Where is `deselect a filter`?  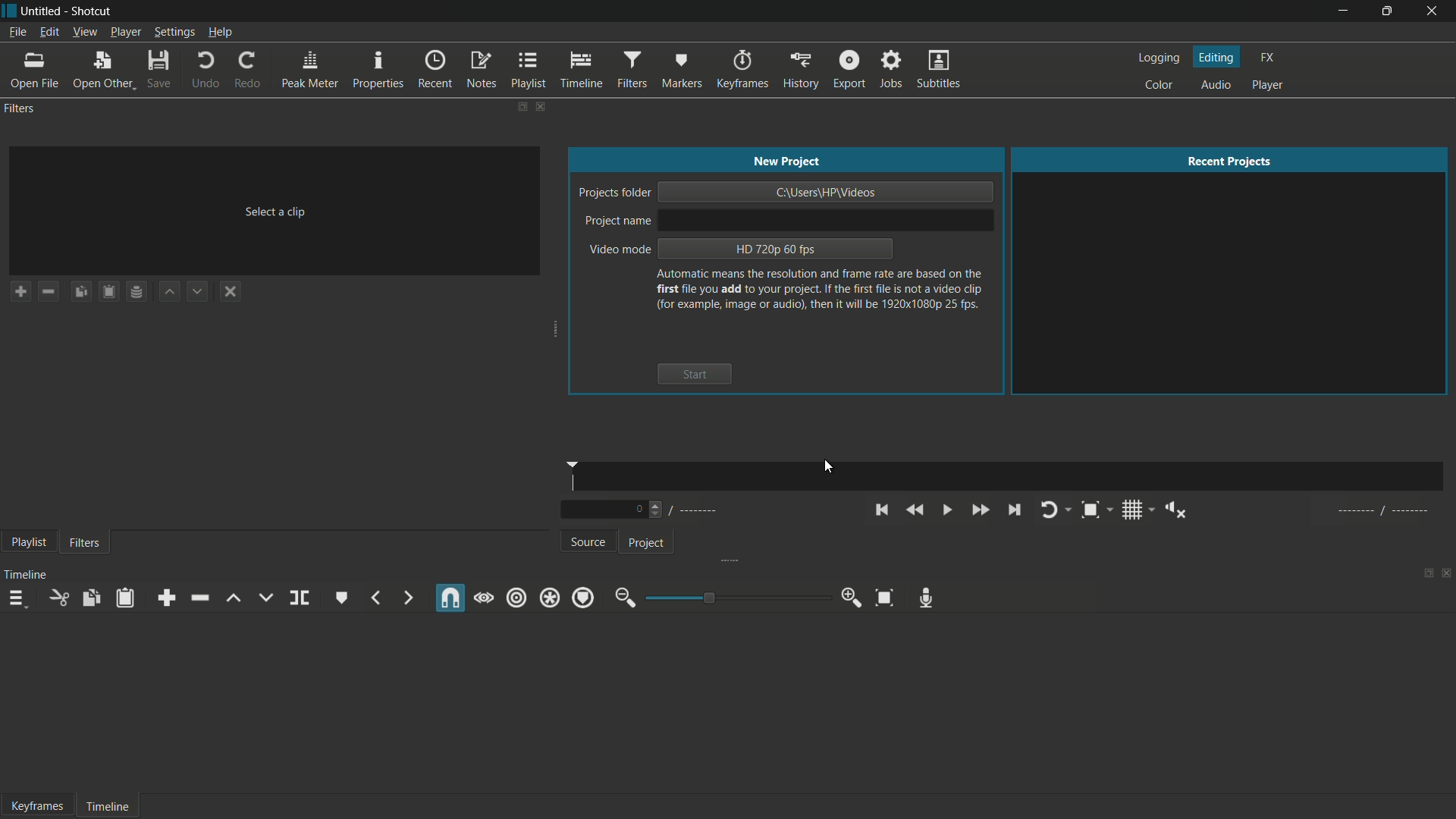 deselect a filter is located at coordinates (232, 291).